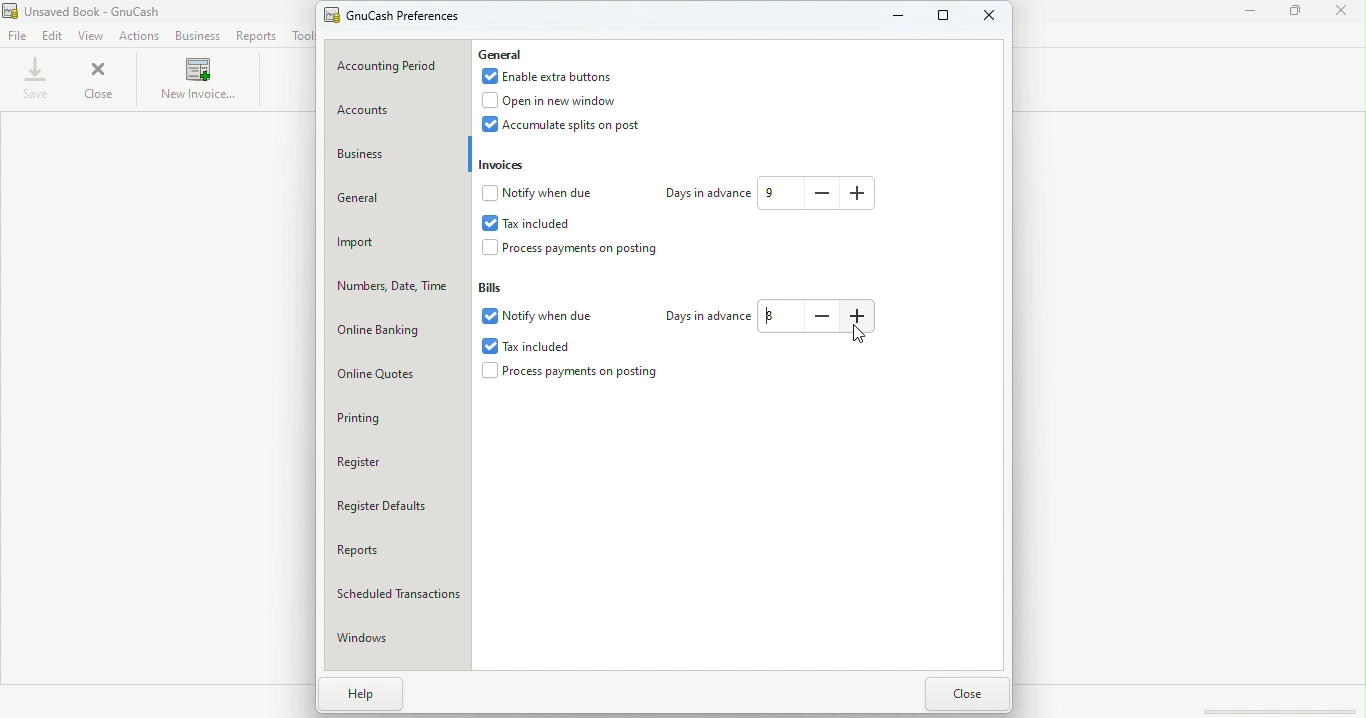 Image resolution: width=1366 pixels, height=718 pixels. Describe the element at coordinates (195, 81) in the screenshot. I see `New invoice` at that location.